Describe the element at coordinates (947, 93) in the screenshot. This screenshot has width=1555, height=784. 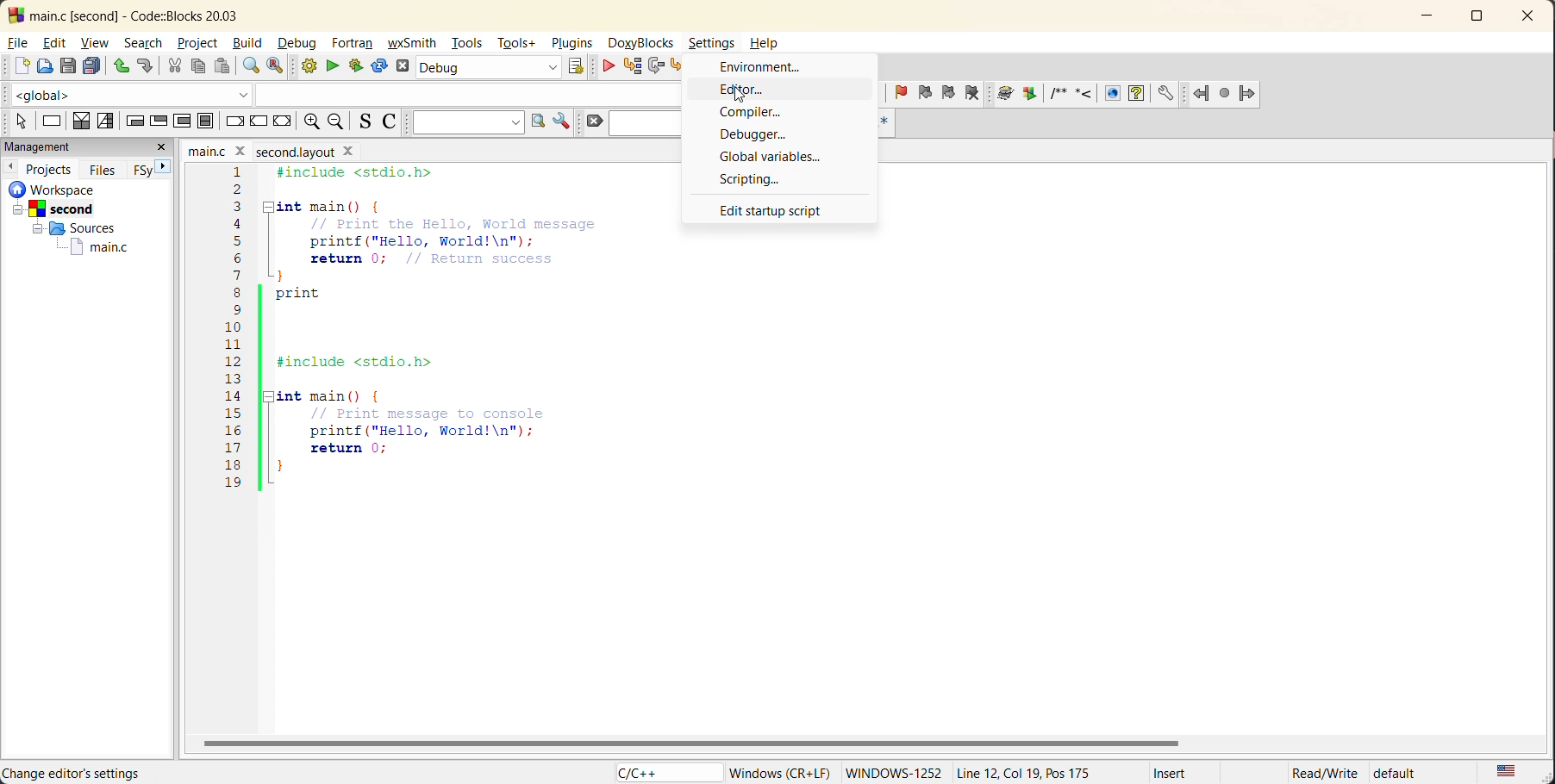
I see `next bookmark` at that location.